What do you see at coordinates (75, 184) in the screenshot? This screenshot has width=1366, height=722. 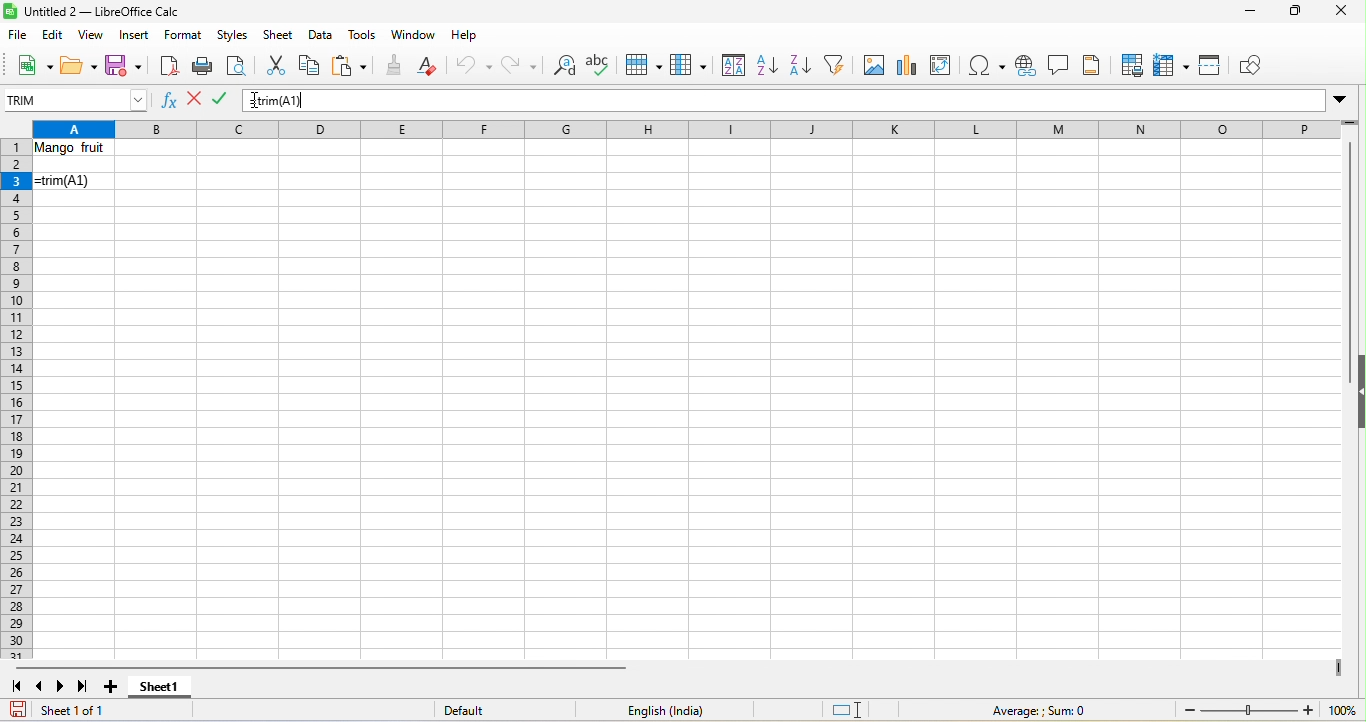 I see `= trim (a1)` at bounding box center [75, 184].